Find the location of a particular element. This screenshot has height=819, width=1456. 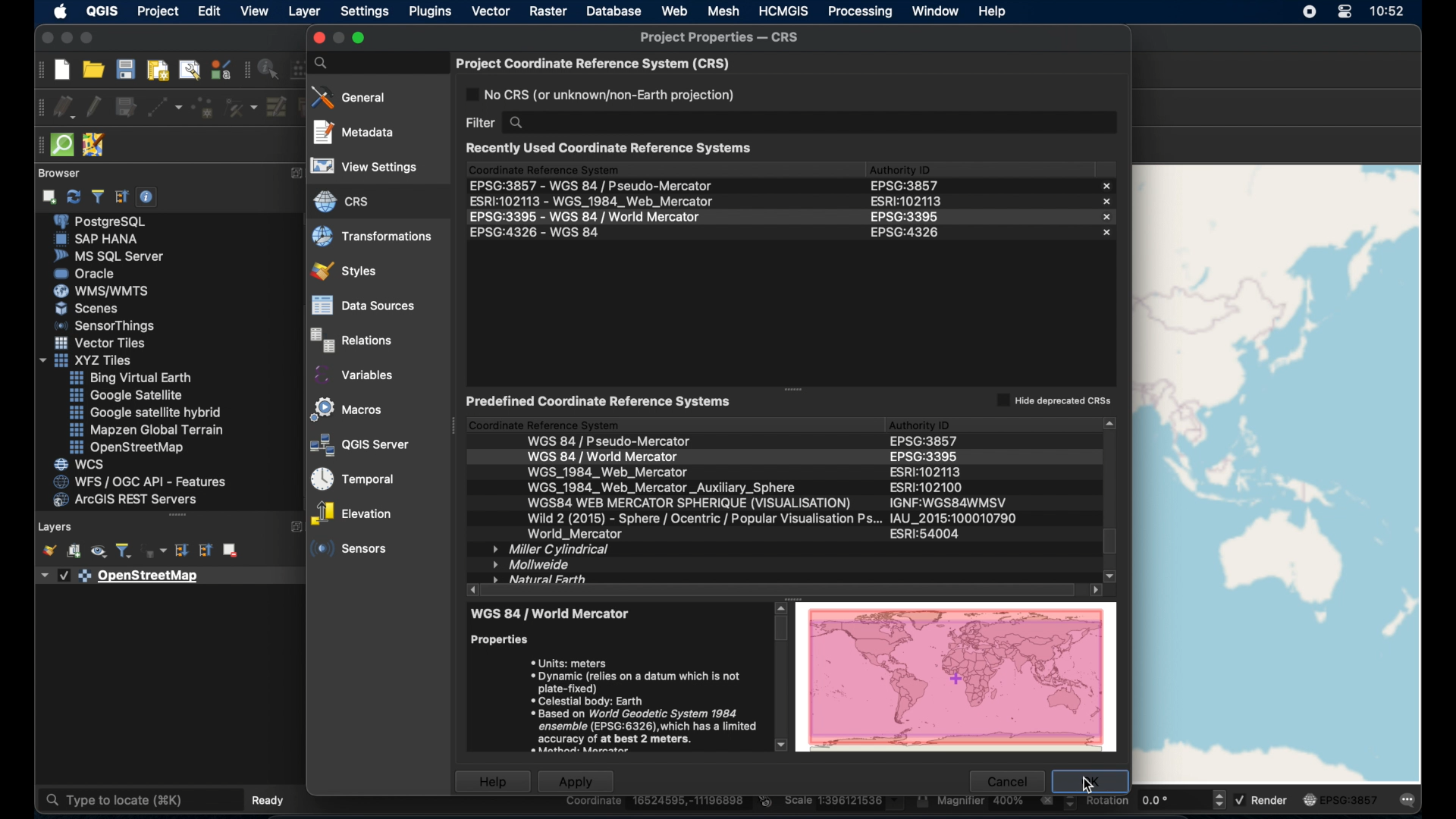

browser is located at coordinates (63, 174).